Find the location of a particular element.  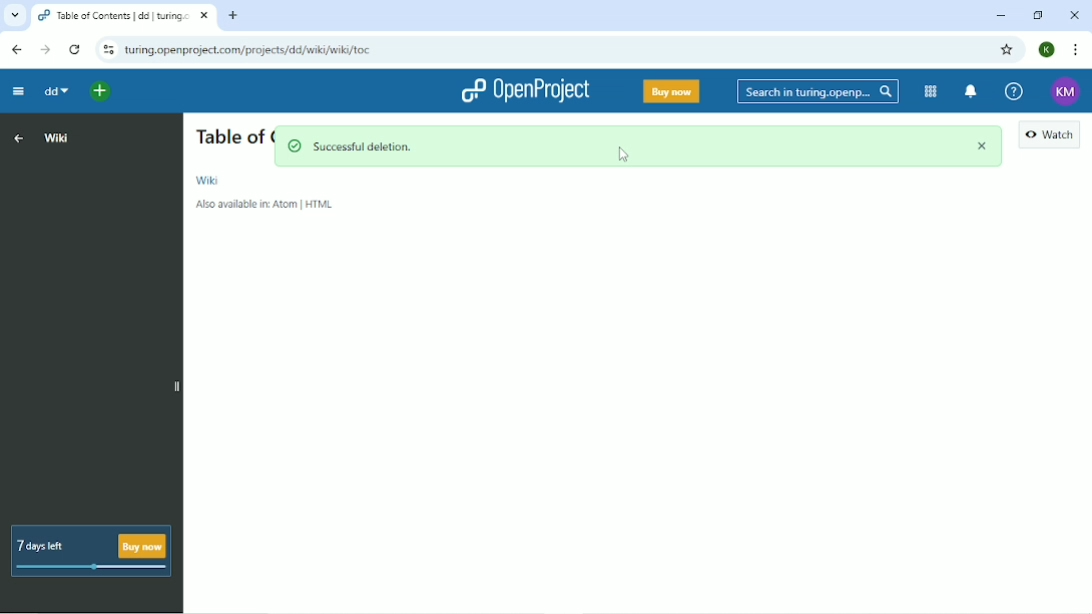

7 days left is located at coordinates (46, 538).